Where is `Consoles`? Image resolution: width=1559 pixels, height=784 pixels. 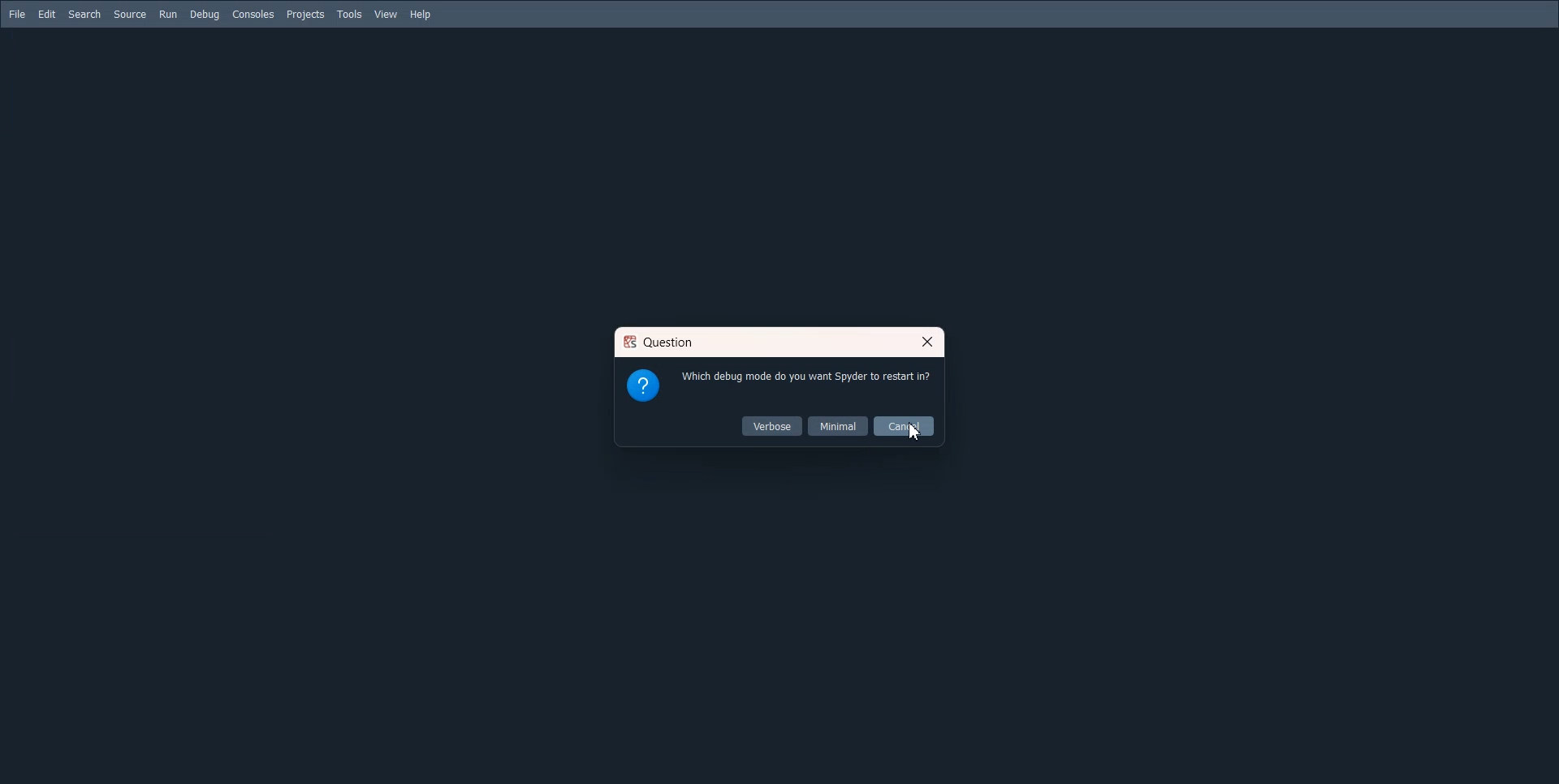 Consoles is located at coordinates (253, 15).